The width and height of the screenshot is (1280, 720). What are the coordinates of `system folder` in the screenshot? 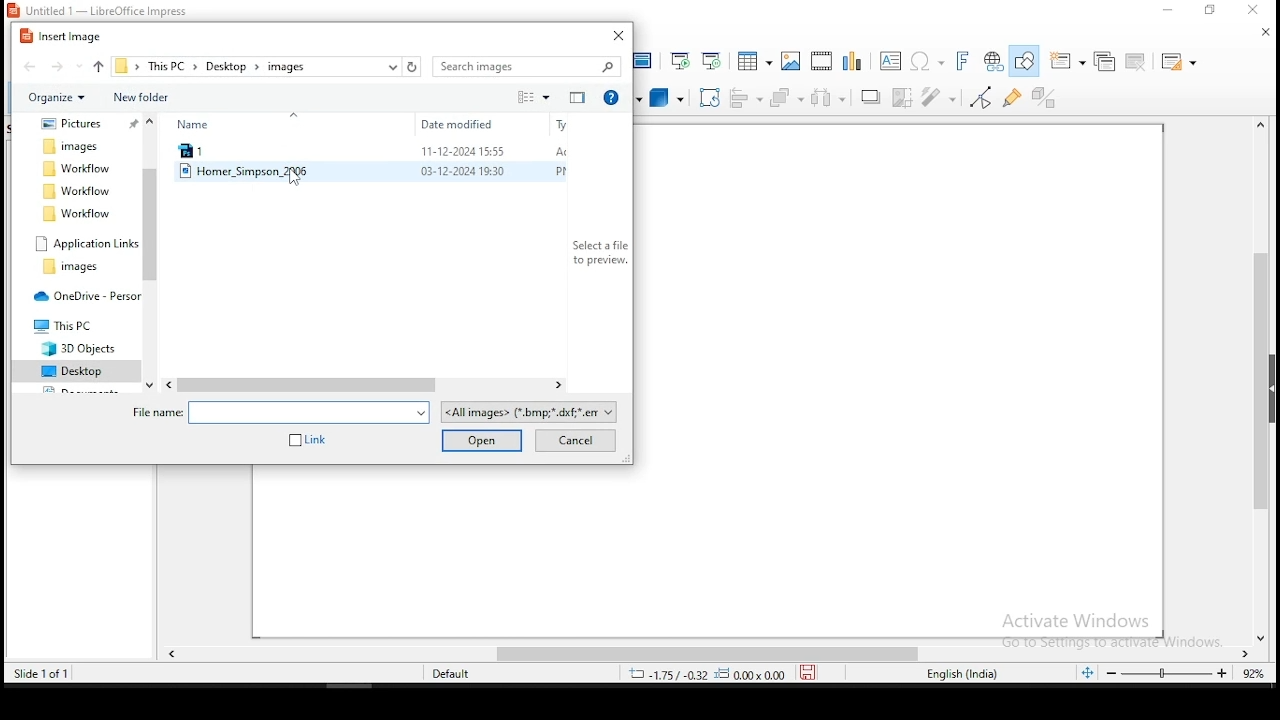 It's located at (79, 212).